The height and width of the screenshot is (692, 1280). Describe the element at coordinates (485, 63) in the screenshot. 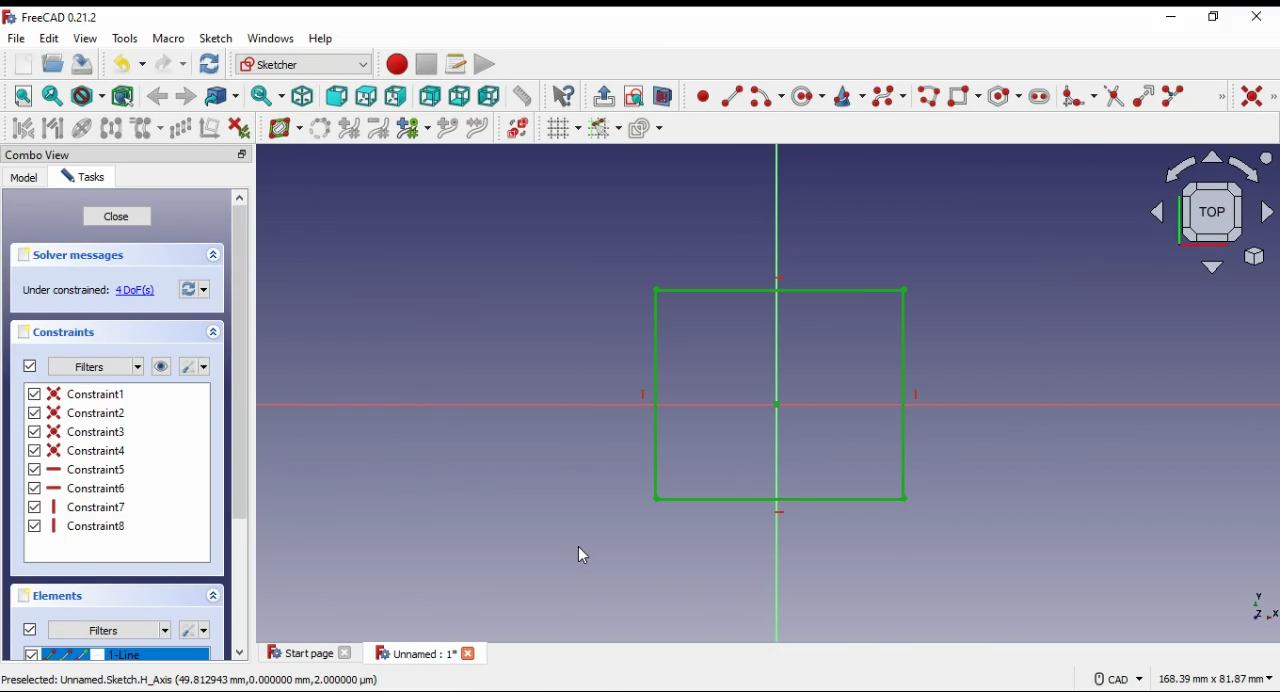

I see `execute macro` at that location.